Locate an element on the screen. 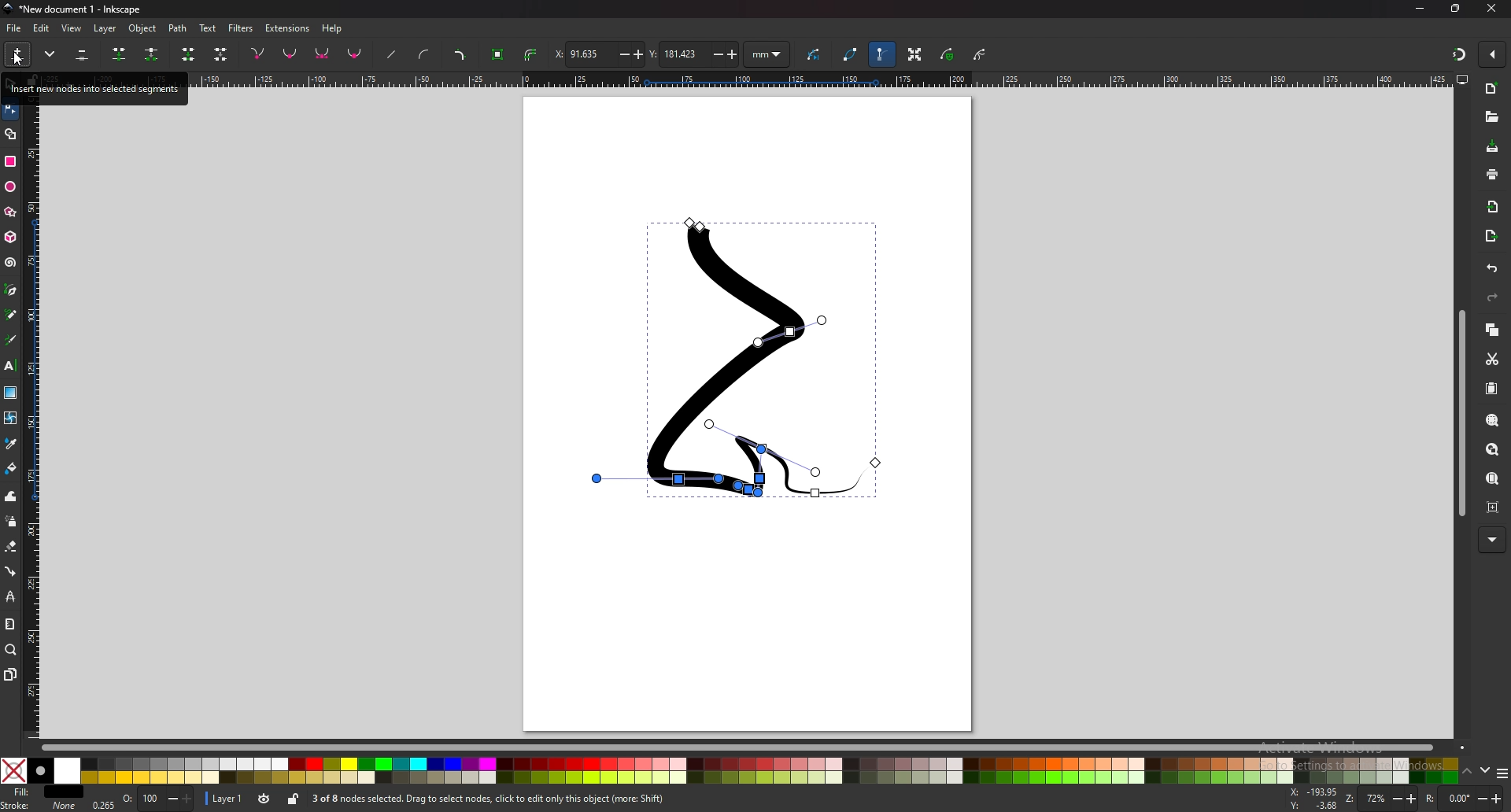 Image resolution: width=1511 pixels, height=812 pixels. up is located at coordinates (1467, 772).